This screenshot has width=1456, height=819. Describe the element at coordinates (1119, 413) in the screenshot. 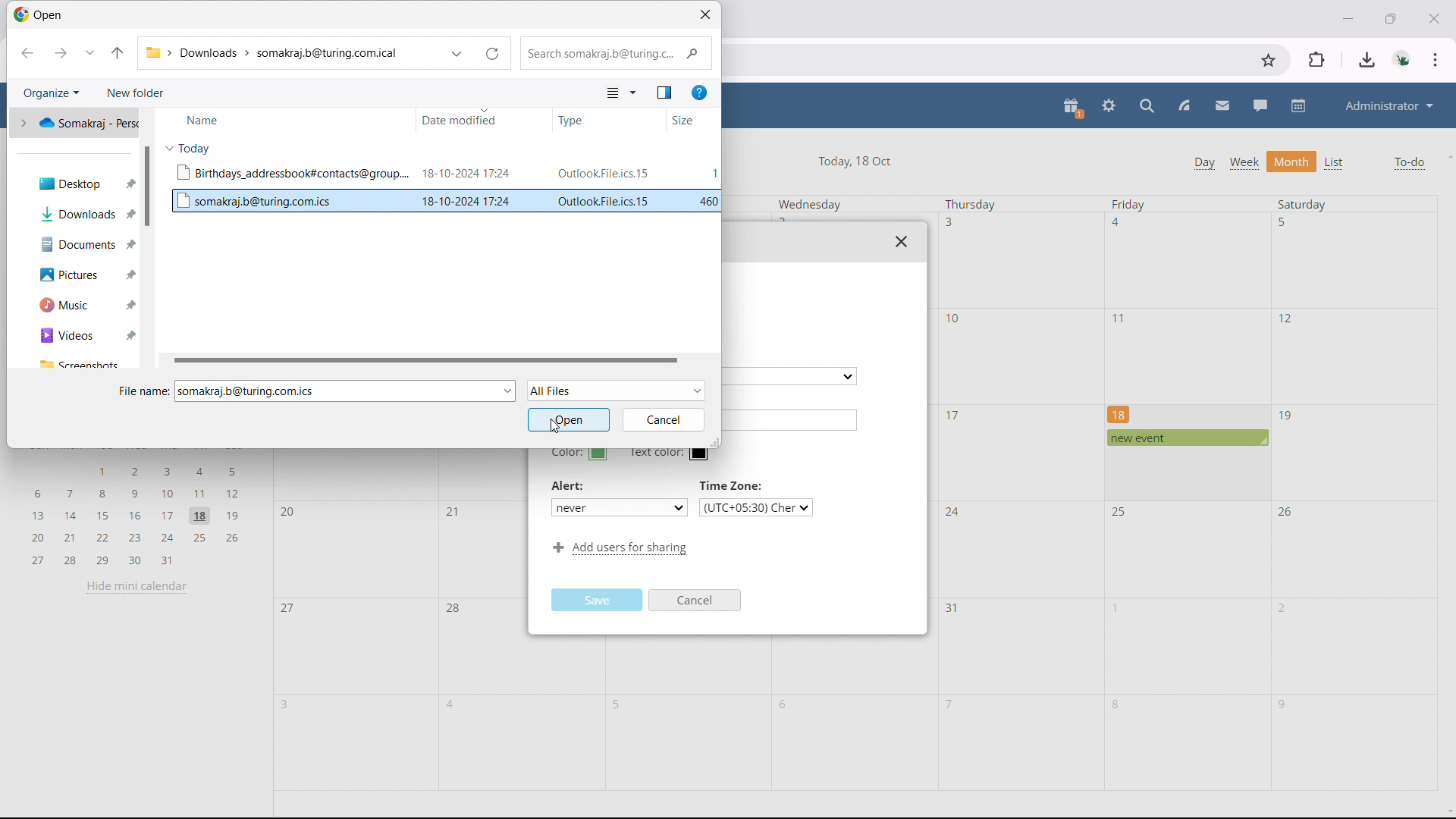

I see `18` at that location.